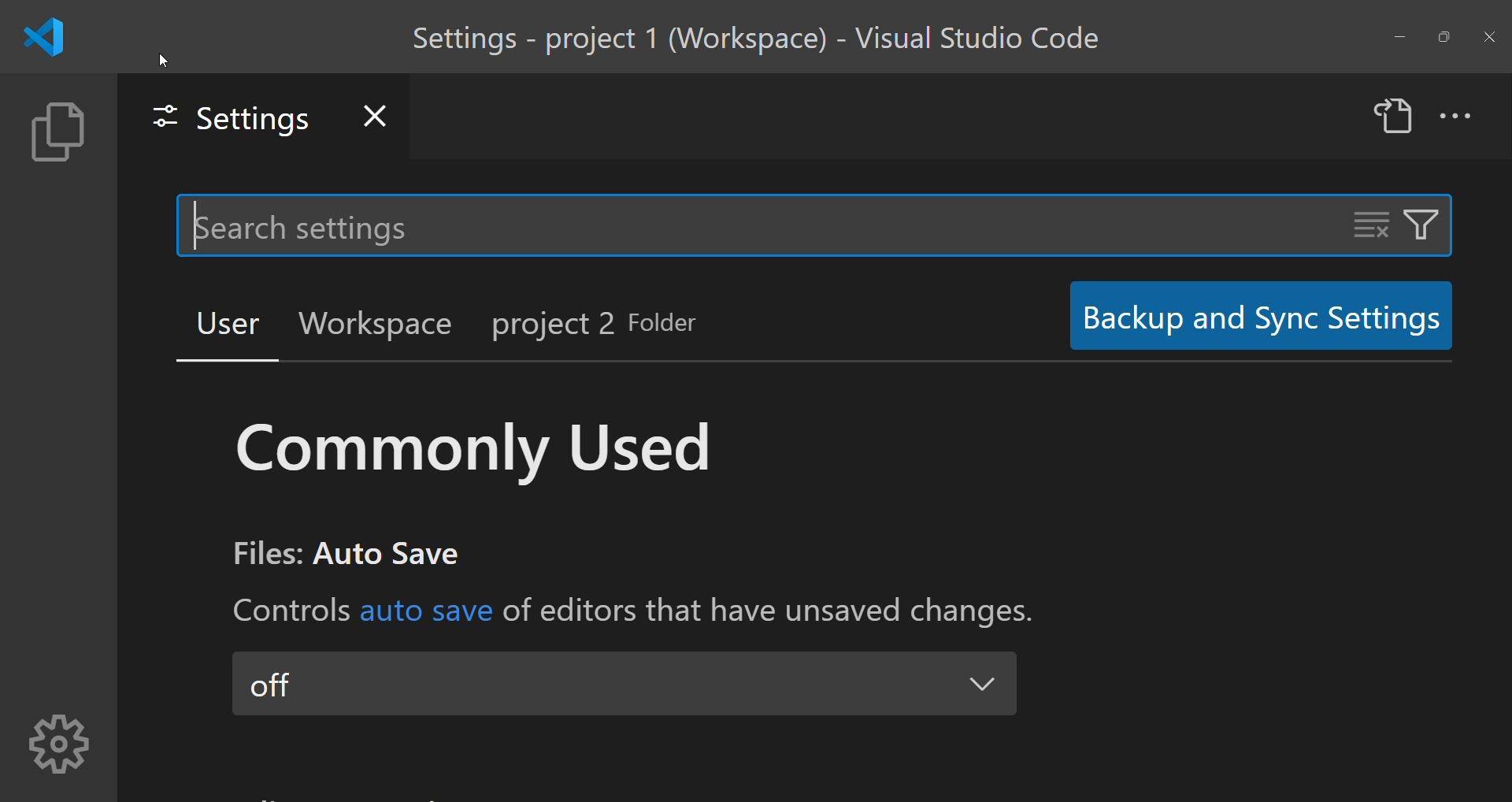  I want to click on title, so click(765, 36).